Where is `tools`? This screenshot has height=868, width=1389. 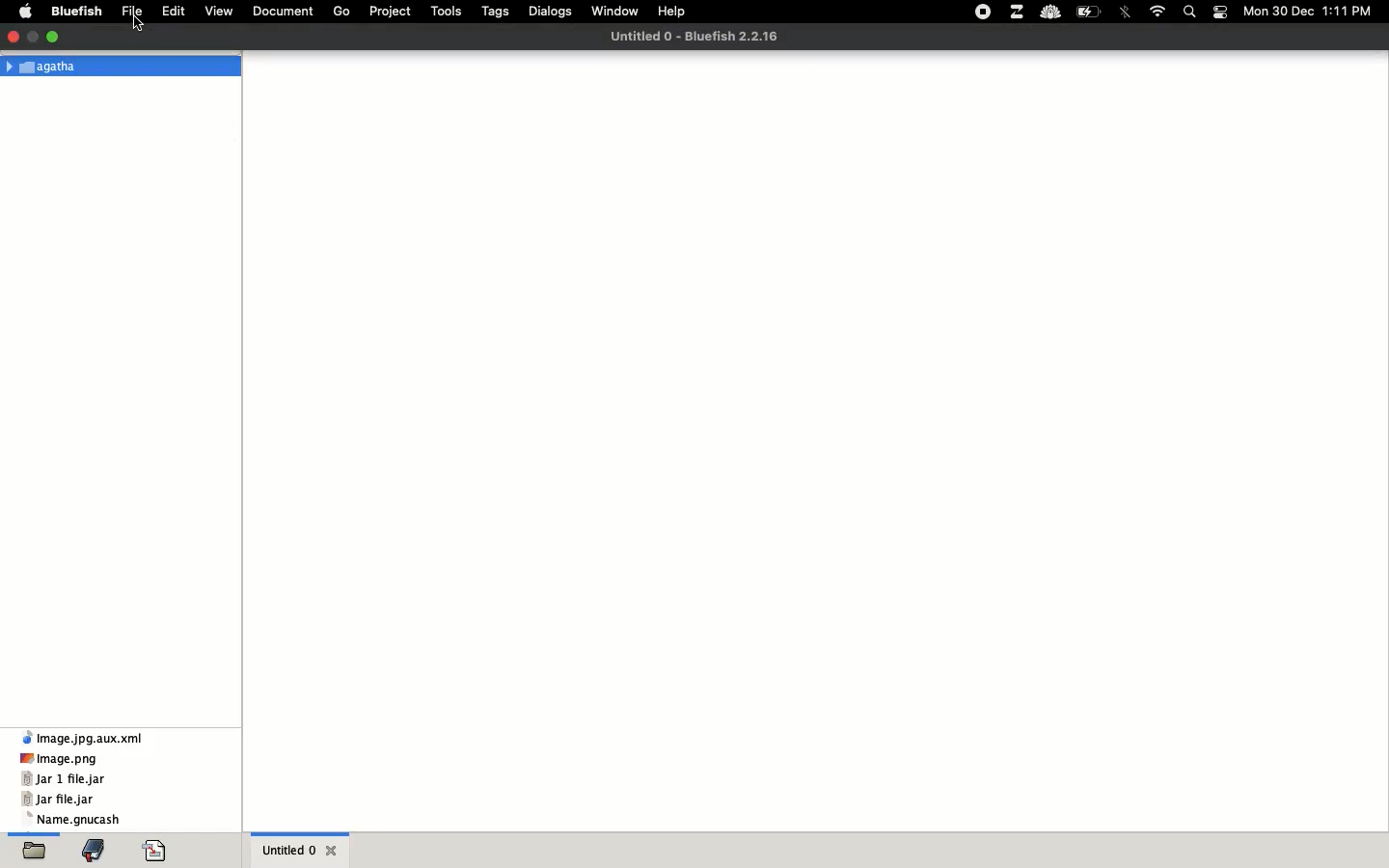
tools is located at coordinates (446, 12).